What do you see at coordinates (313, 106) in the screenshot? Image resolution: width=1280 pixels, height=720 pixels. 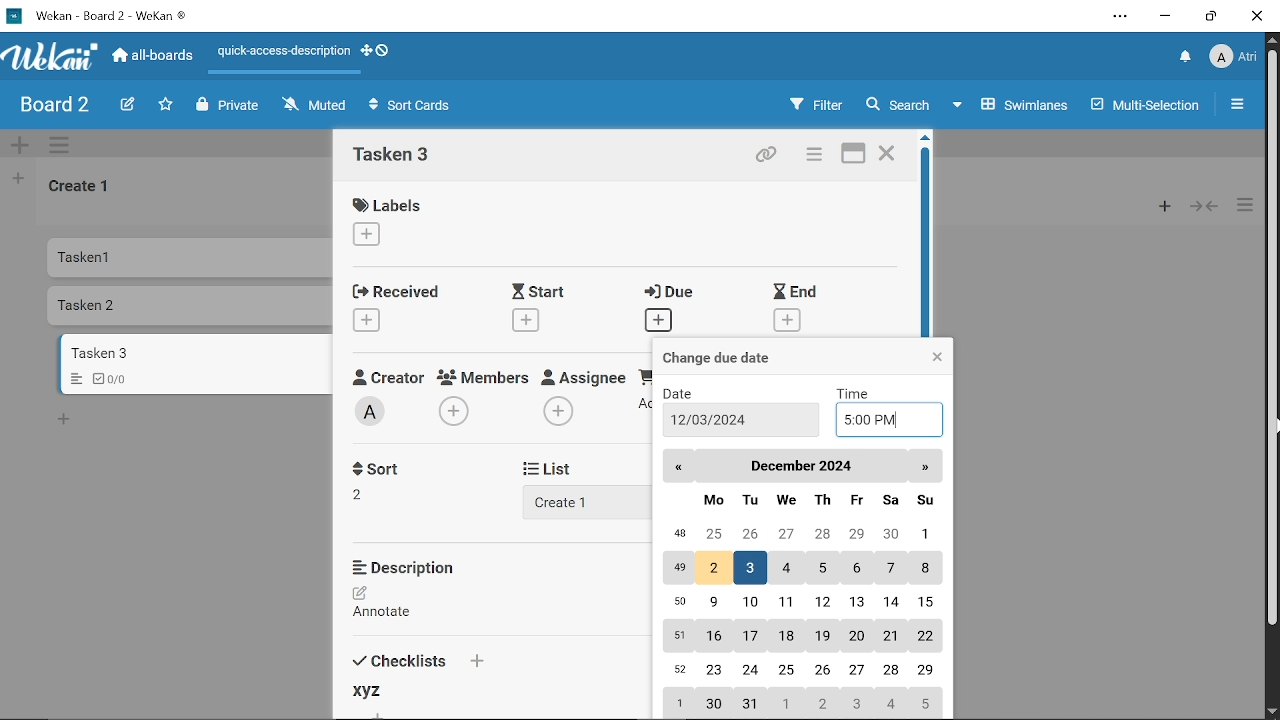 I see `Muted` at bounding box center [313, 106].